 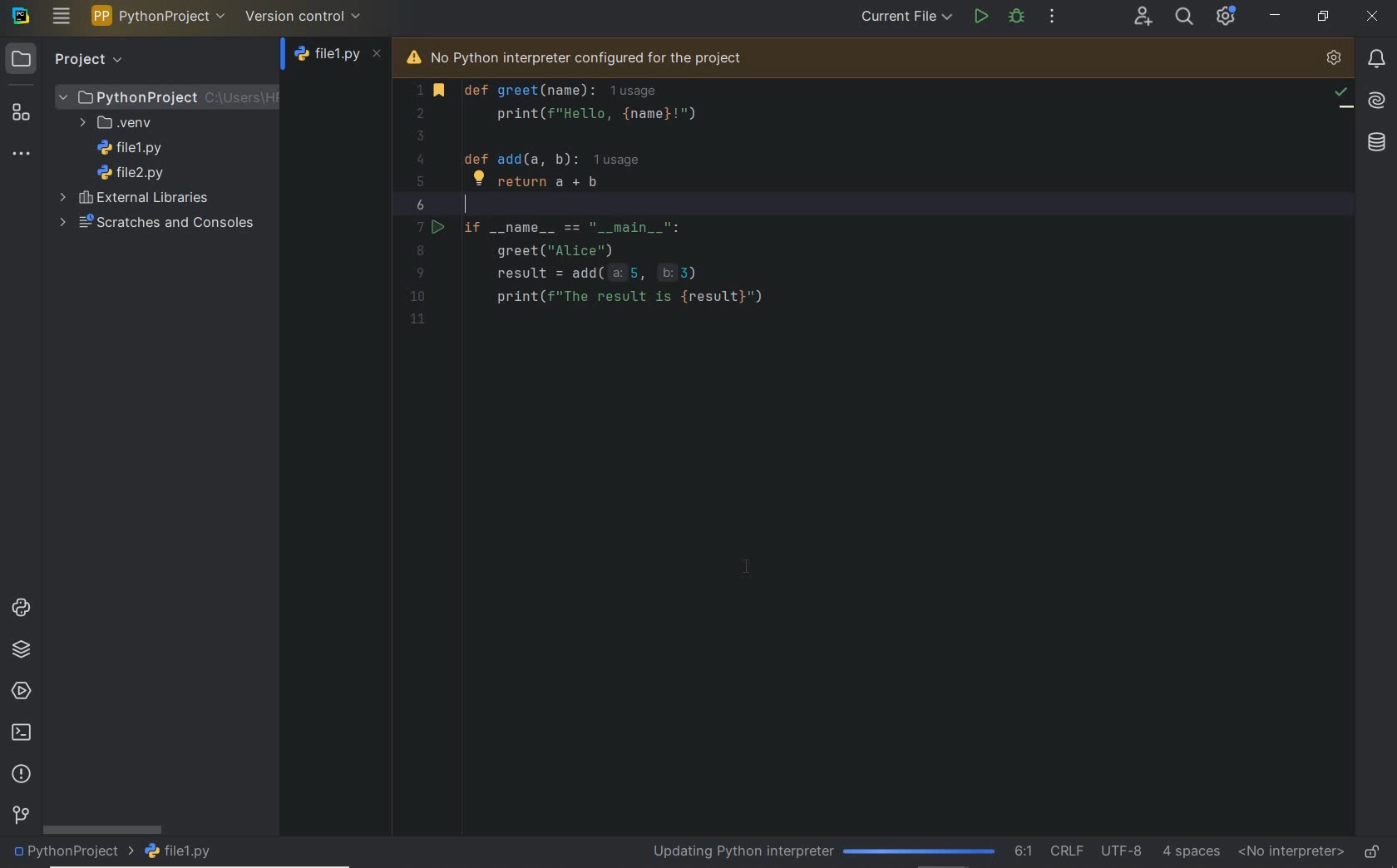 I want to click on python interpreter, so click(x=1334, y=59).